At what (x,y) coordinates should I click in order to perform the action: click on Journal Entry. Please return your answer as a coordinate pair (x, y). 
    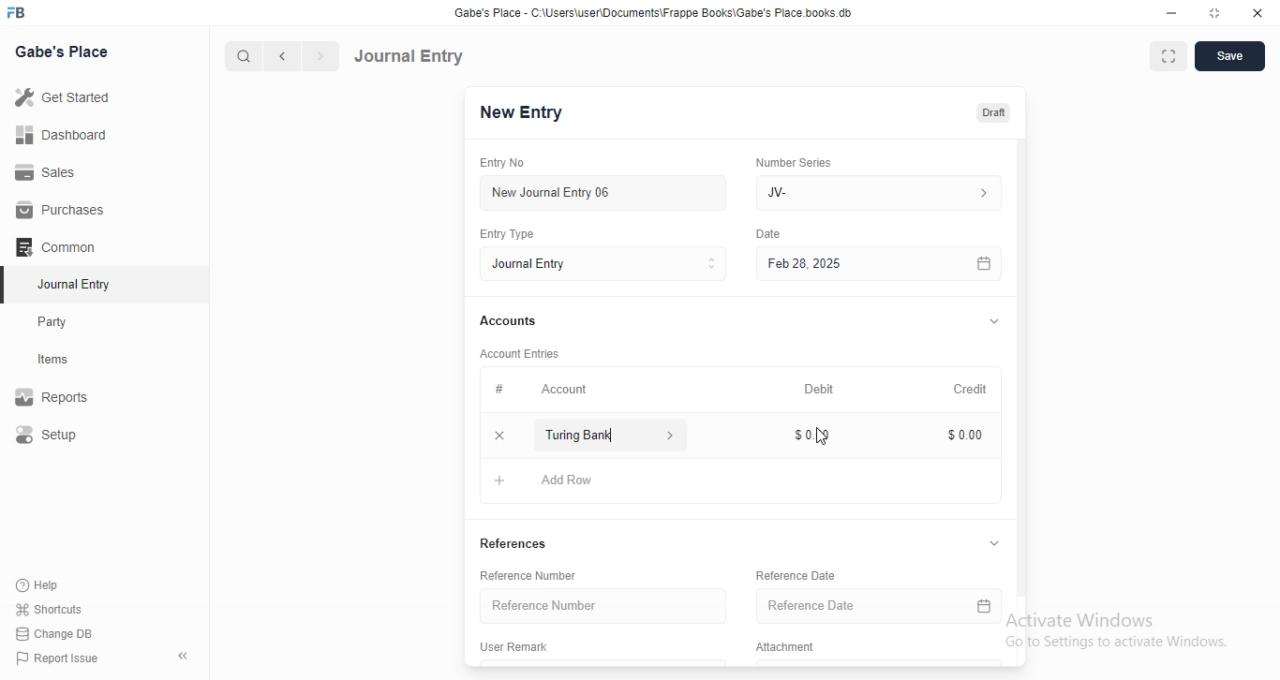
    Looking at the image, I should click on (65, 286).